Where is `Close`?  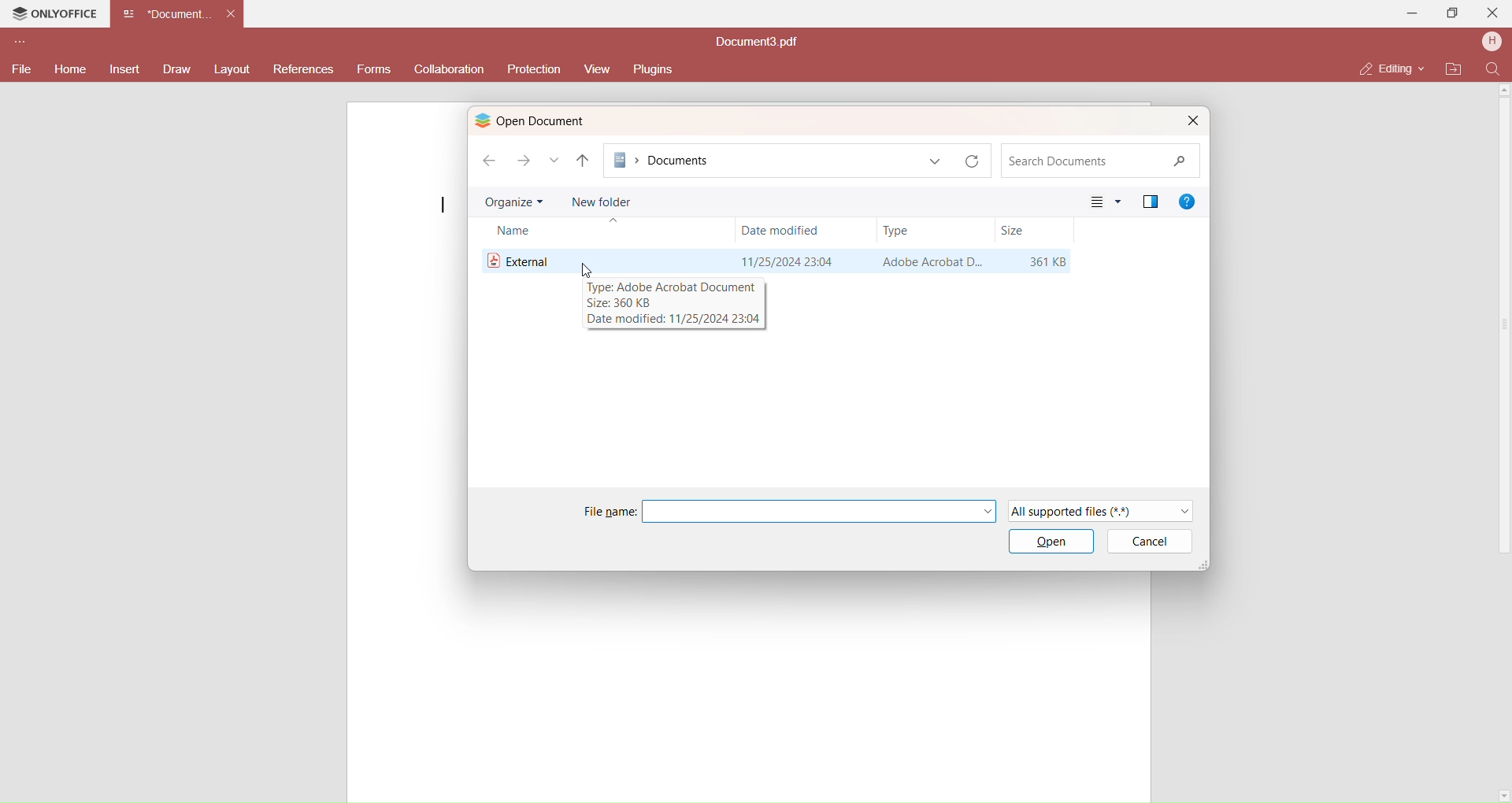 Close is located at coordinates (1494, 12).